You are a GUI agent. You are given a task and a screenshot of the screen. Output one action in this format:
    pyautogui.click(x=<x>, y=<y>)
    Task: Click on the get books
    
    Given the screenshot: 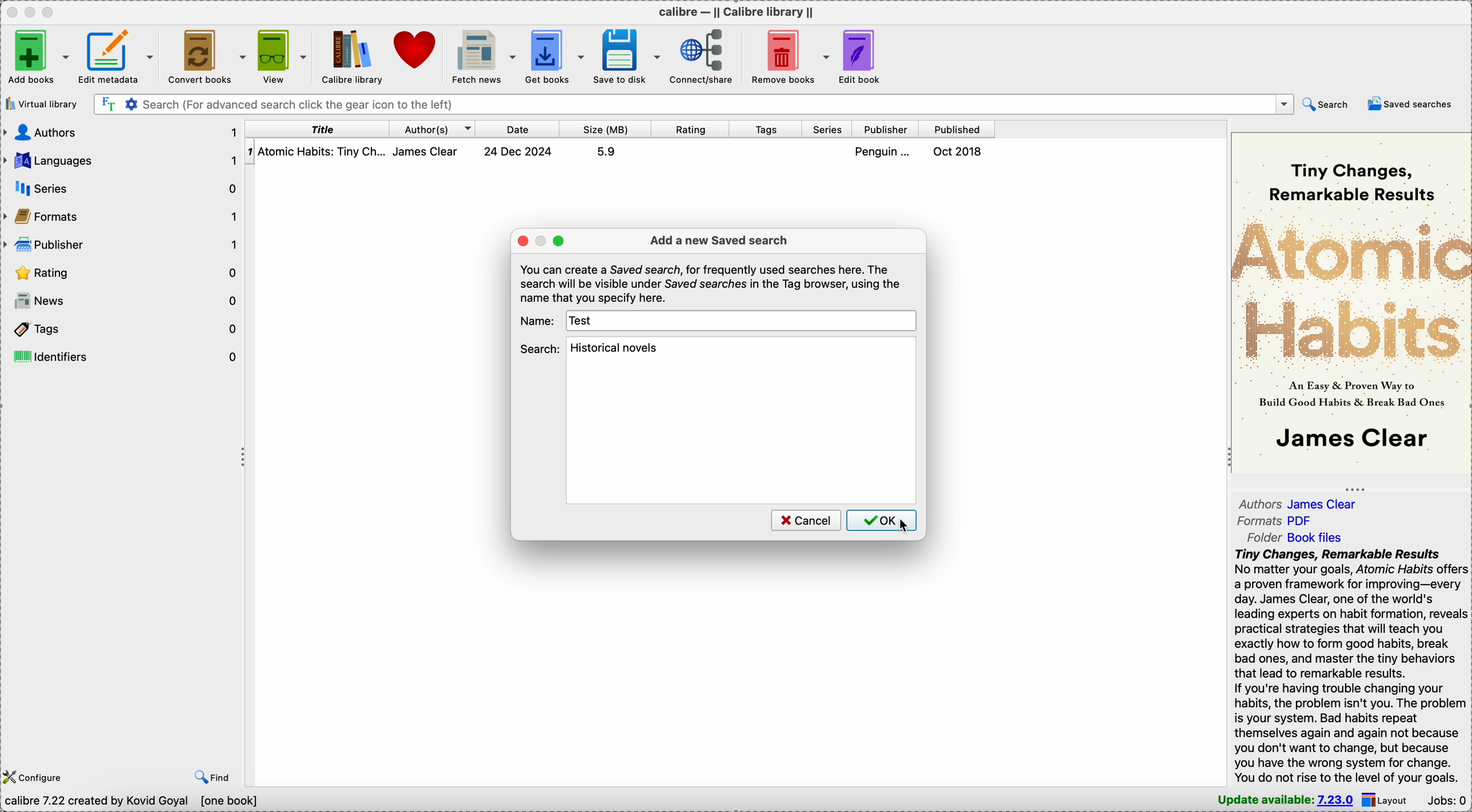 What is the action you would take?
    pyautogui.click(x=557, y=55)
    